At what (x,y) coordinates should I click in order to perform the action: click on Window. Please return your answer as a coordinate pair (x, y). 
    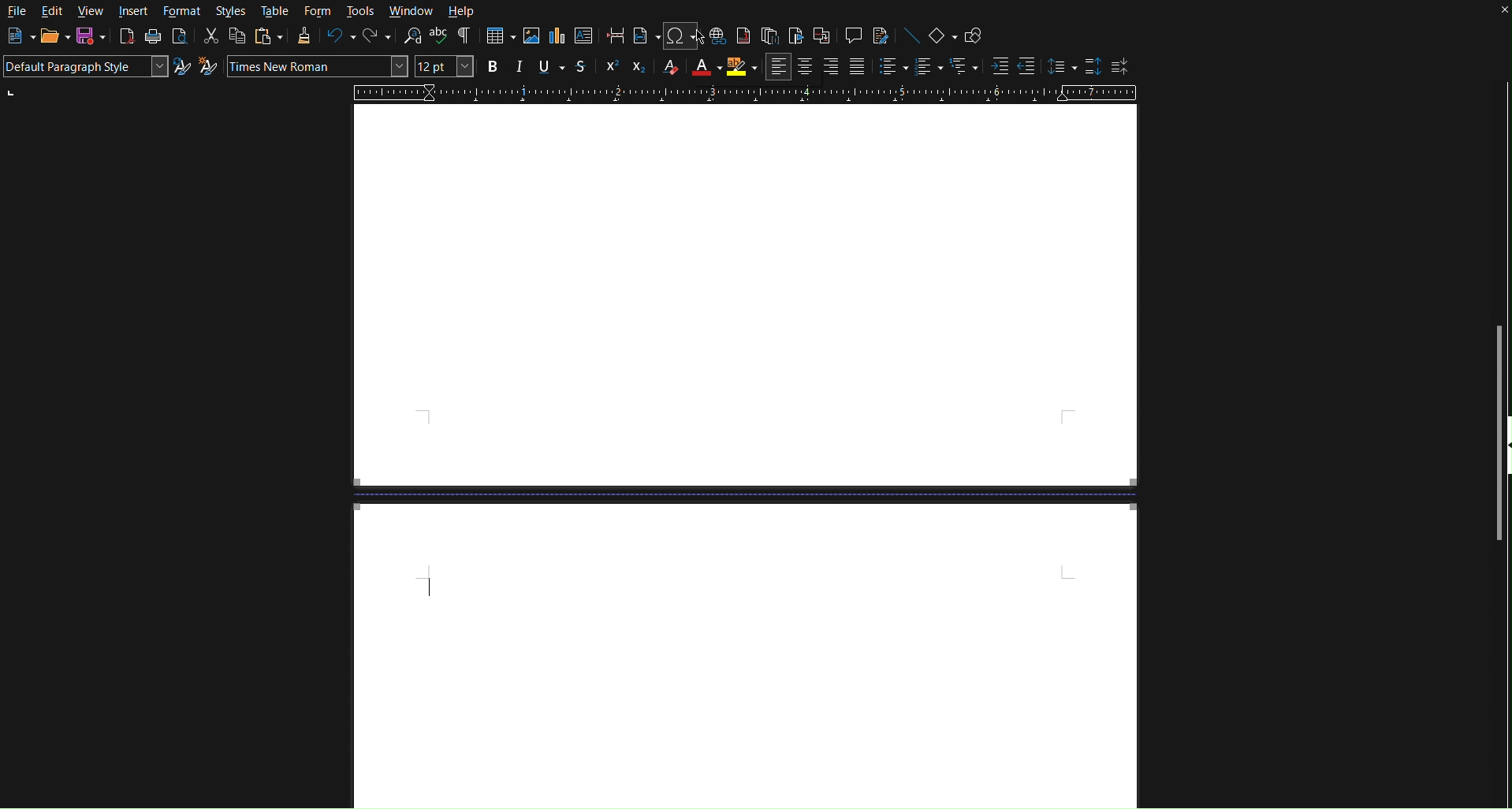
    Looking at the image, I should click on (412, 10).